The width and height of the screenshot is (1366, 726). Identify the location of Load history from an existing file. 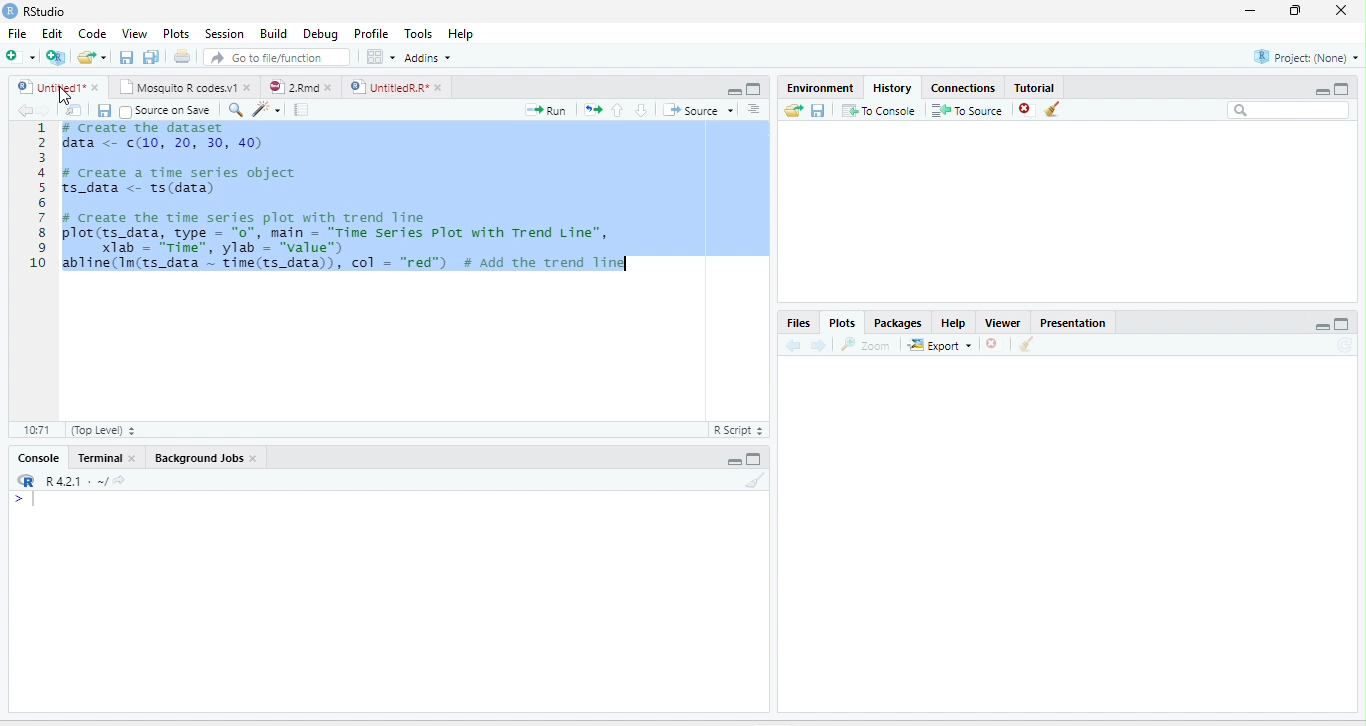
(793, 110).